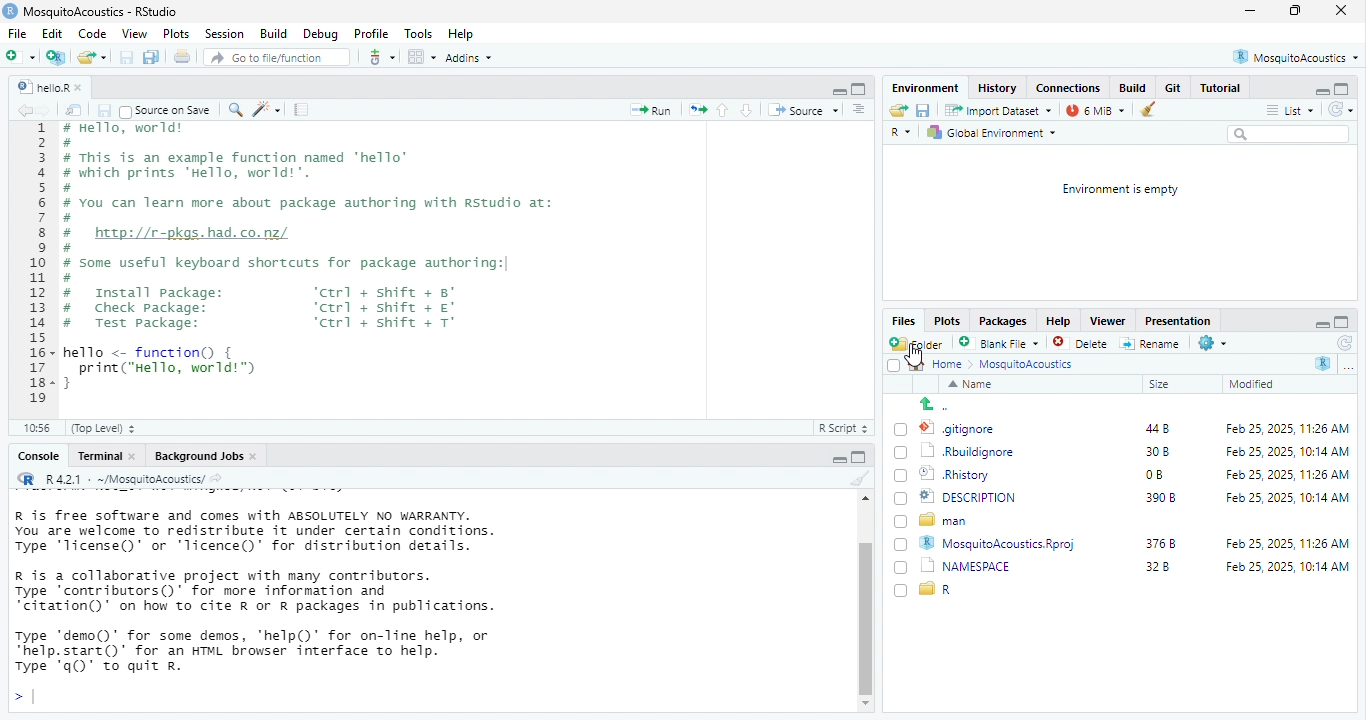  Describe the element at coordinates (1172, 88) in the screenshot. I see `Git` at that location.